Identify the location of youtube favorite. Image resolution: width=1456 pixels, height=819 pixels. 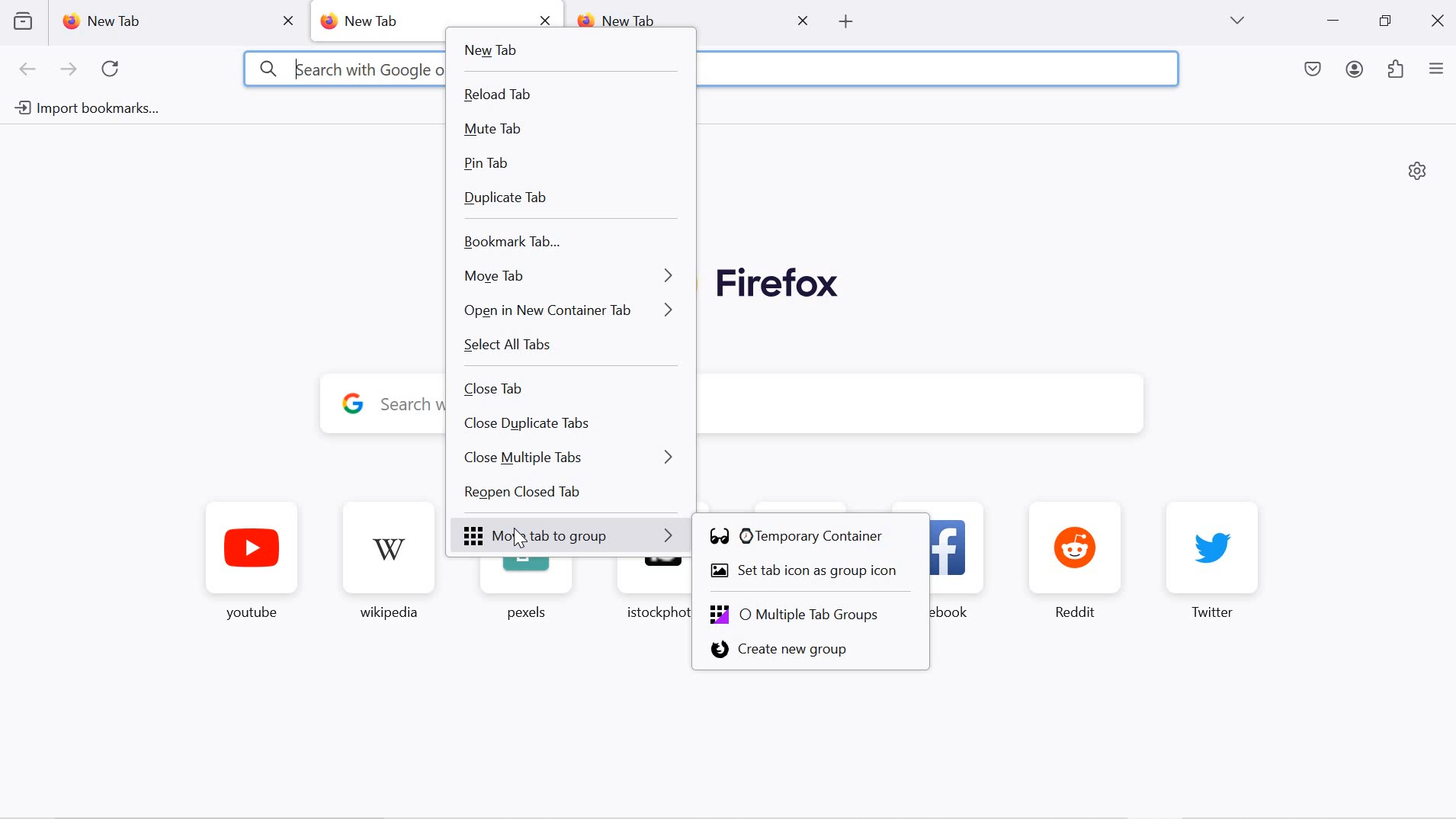
(252, 564).